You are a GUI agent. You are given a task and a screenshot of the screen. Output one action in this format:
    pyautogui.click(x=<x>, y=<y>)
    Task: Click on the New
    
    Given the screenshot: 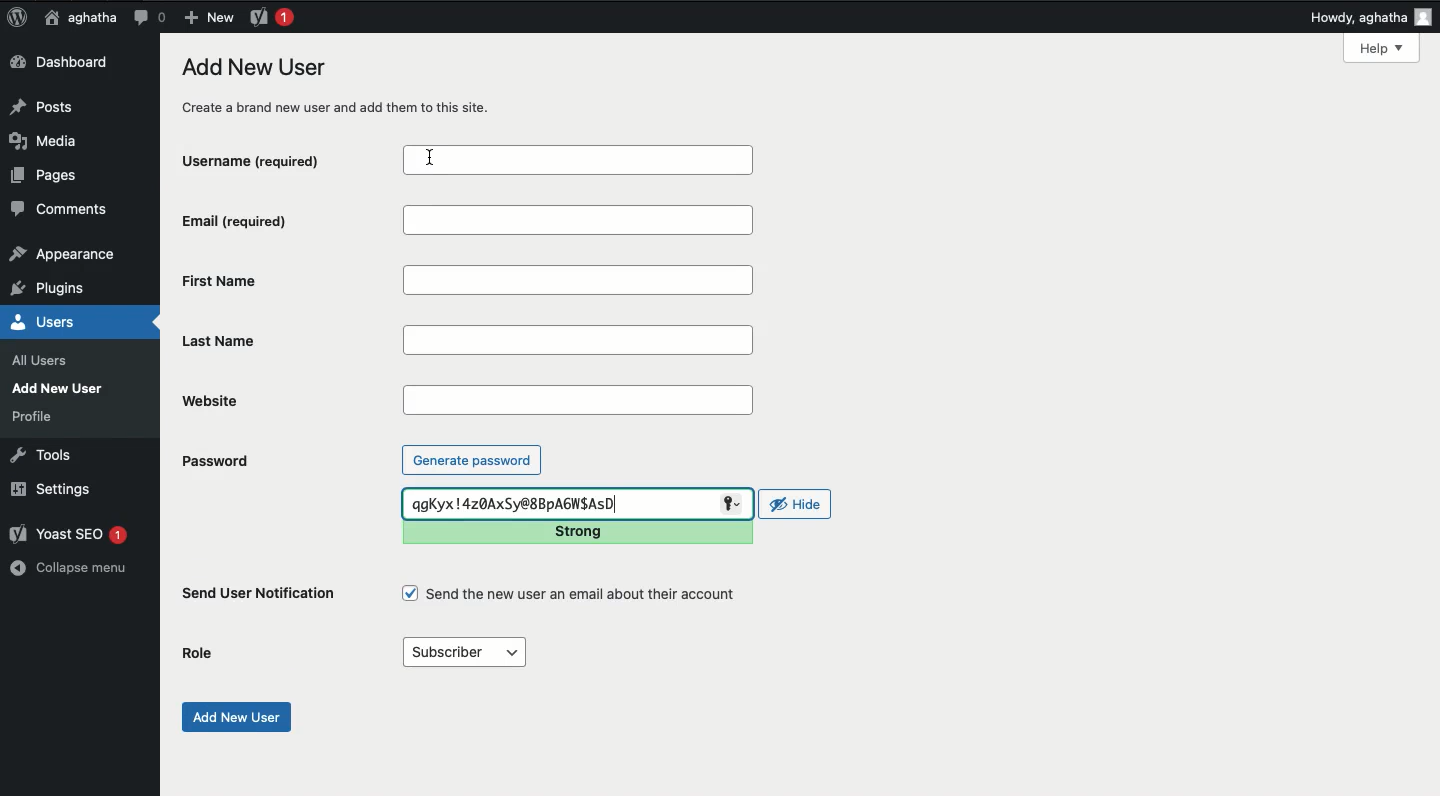 What is the action you would take?
    pyautogui.click(x=208, y=16)
    